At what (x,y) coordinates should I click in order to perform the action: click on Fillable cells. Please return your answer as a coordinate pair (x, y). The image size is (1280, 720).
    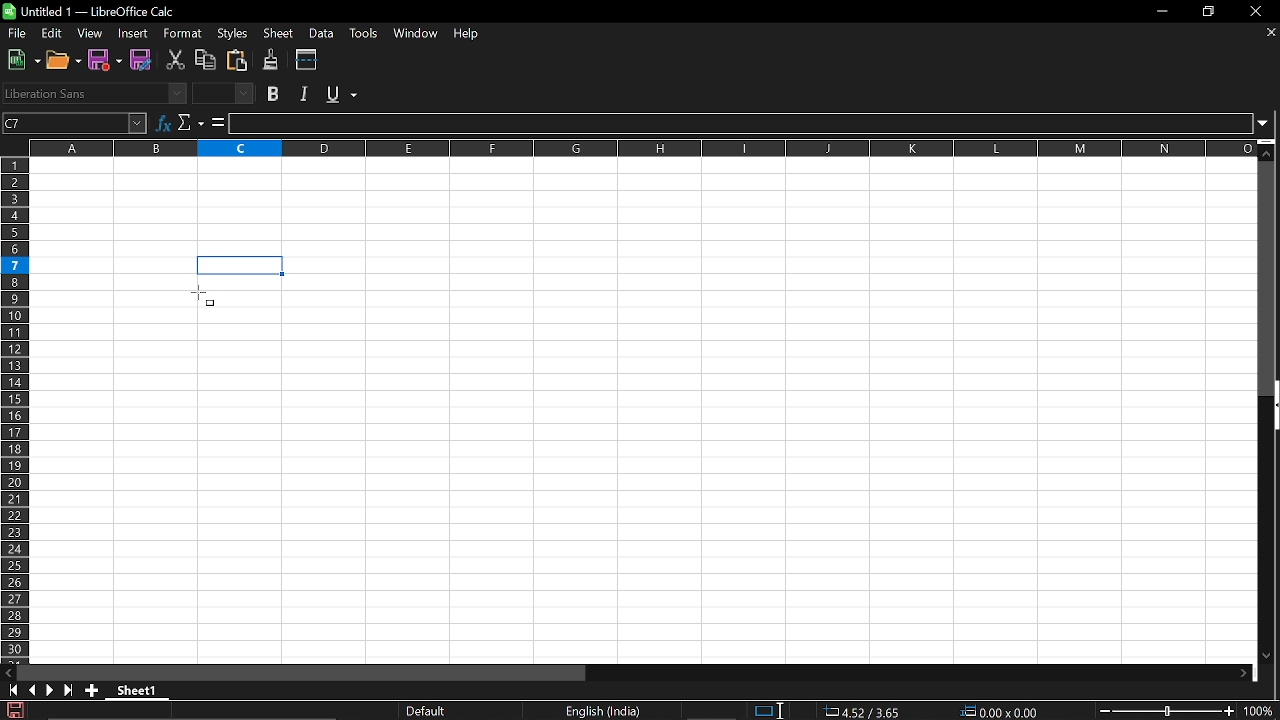
    Looking at the image, I should click on (776, 458).